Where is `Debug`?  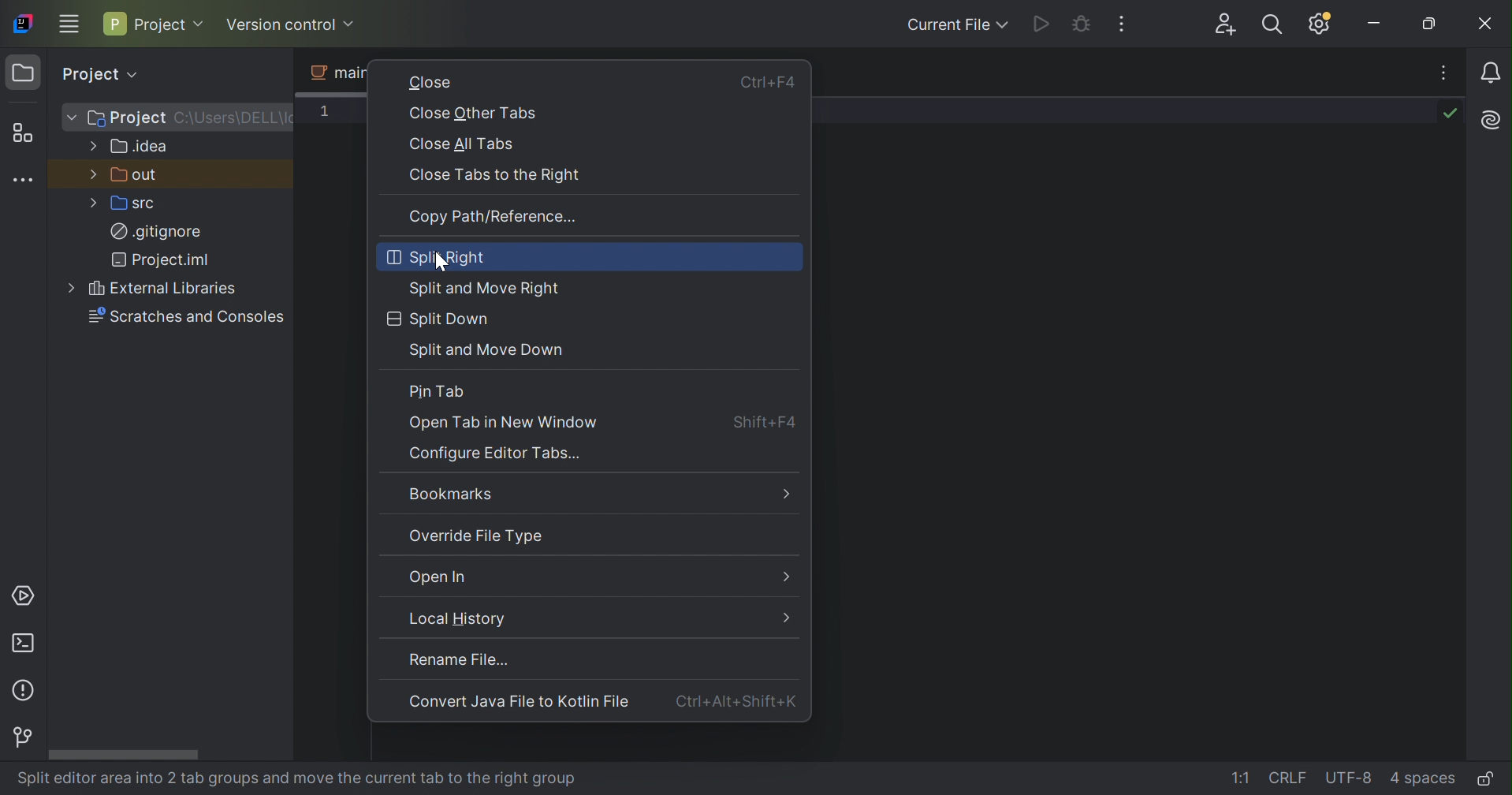
Debug is located at coordinates (1084, 23).